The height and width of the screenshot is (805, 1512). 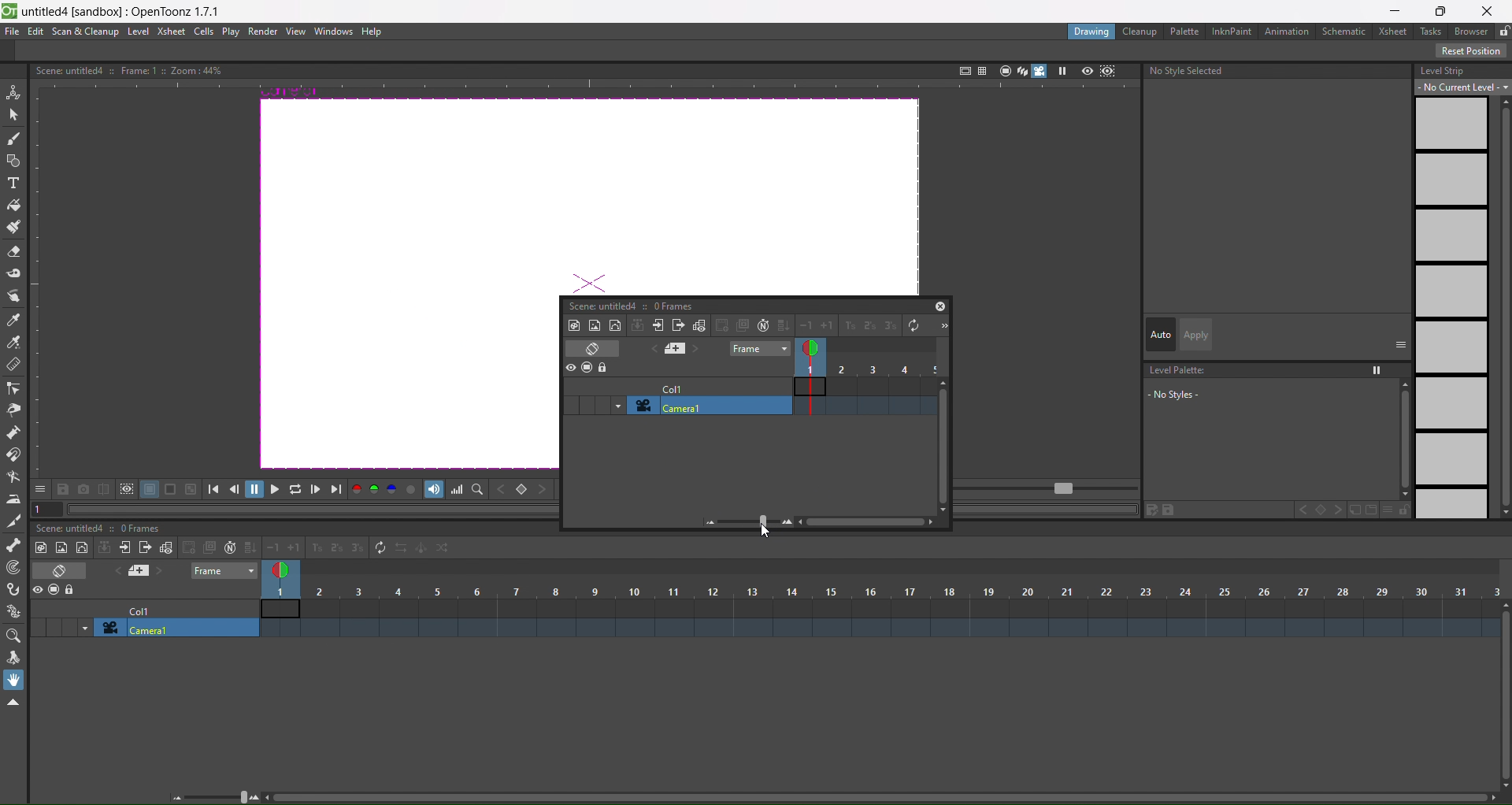 I want to click on inknpaint, so click(x=1232, y=30).